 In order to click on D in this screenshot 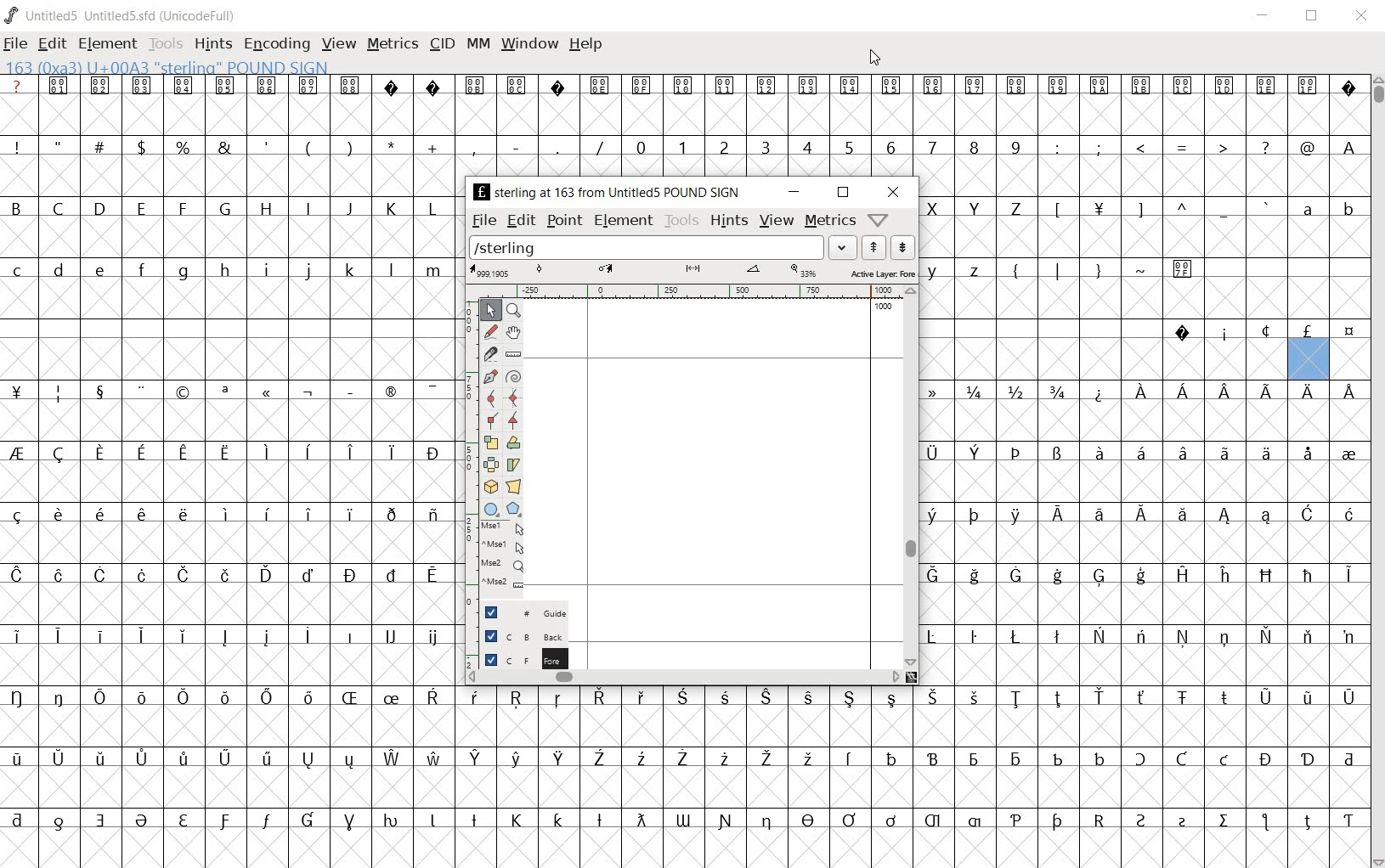, I will do `click(99, 207)`.